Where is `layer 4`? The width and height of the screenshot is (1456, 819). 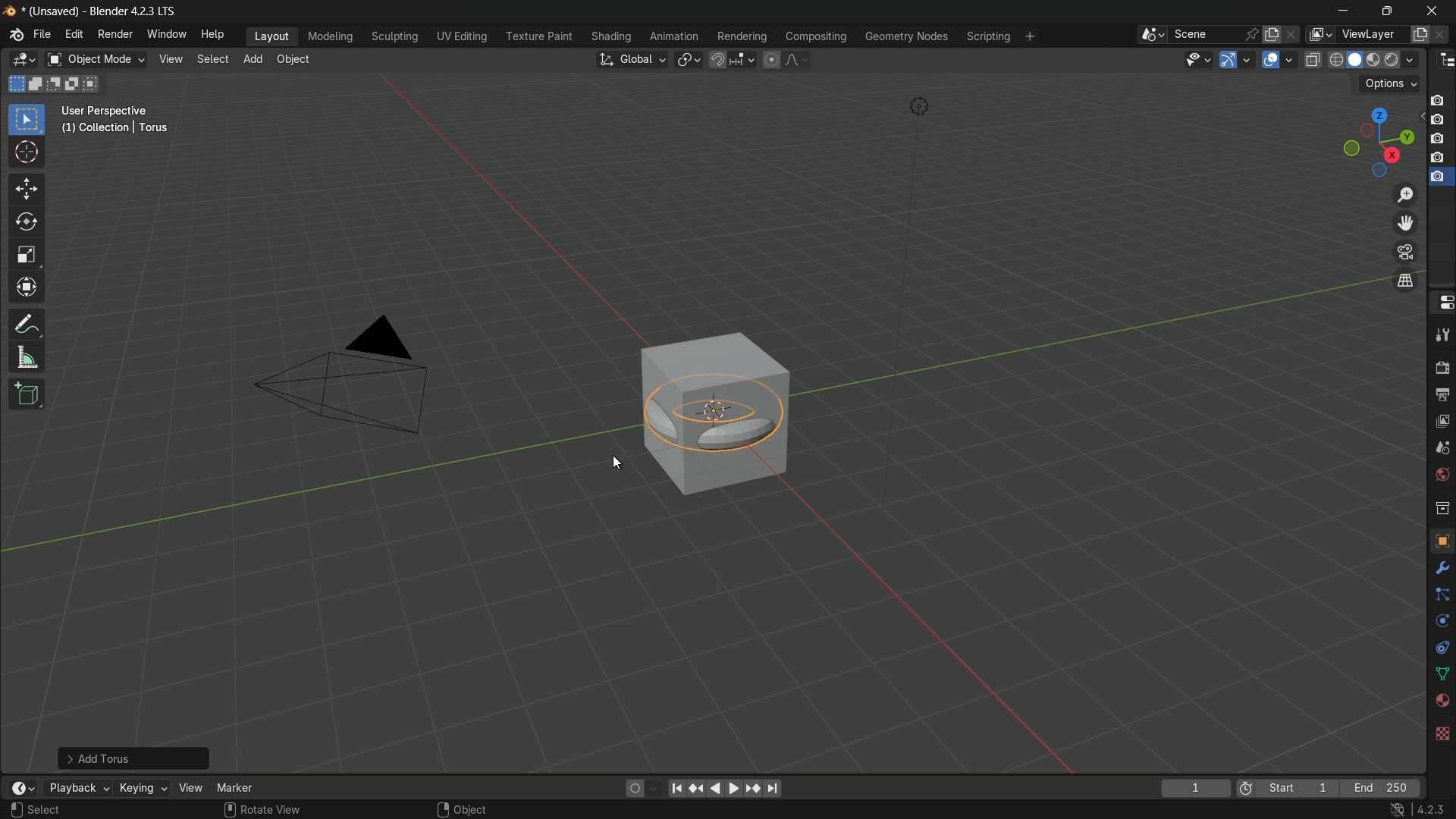
layer 4 is located at coordinates (1439, 158).